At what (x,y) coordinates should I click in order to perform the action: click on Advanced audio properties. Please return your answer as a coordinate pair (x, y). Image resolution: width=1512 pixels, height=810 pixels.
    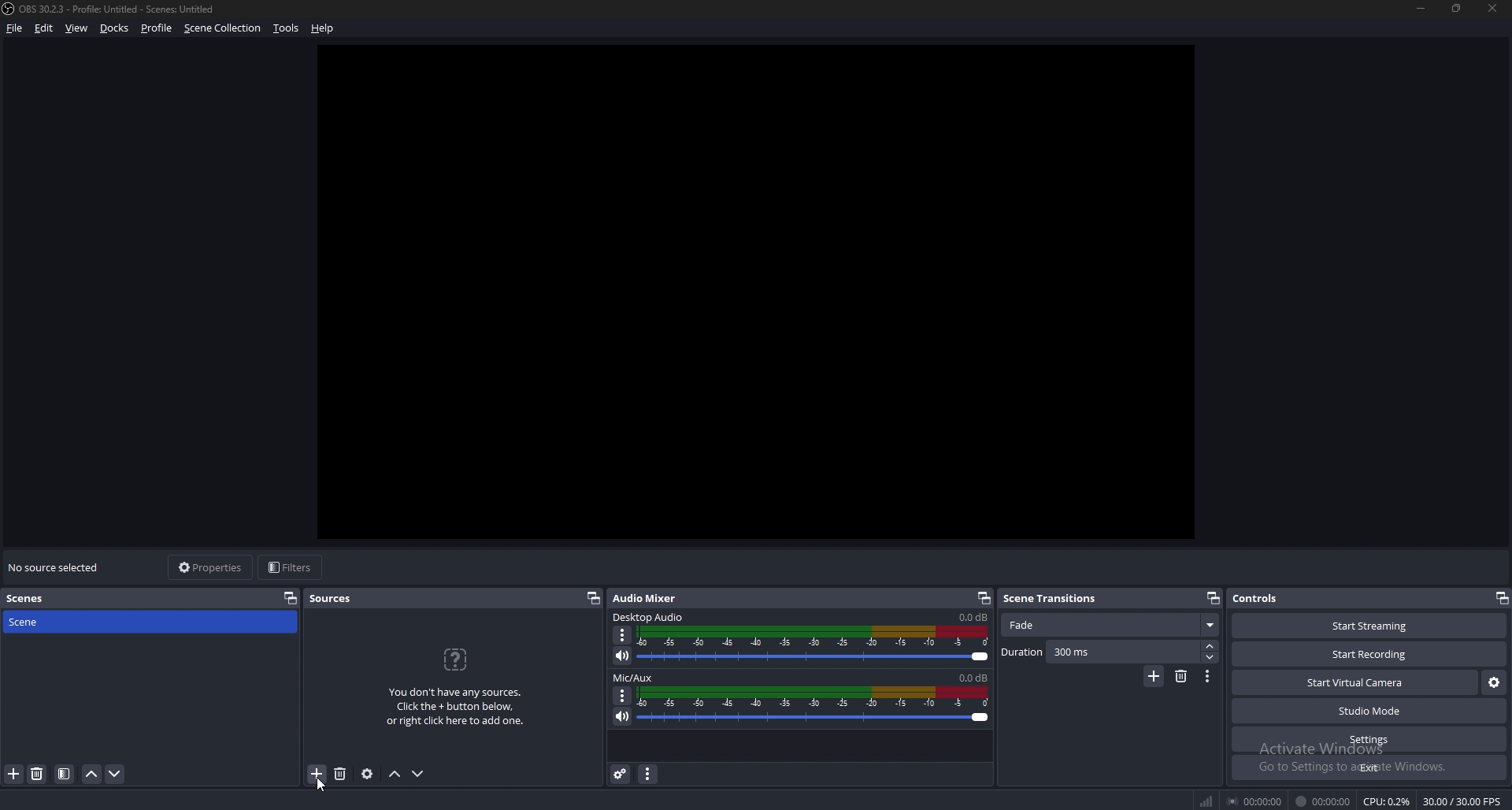
    Looking at the image, I should click on (622, 774).